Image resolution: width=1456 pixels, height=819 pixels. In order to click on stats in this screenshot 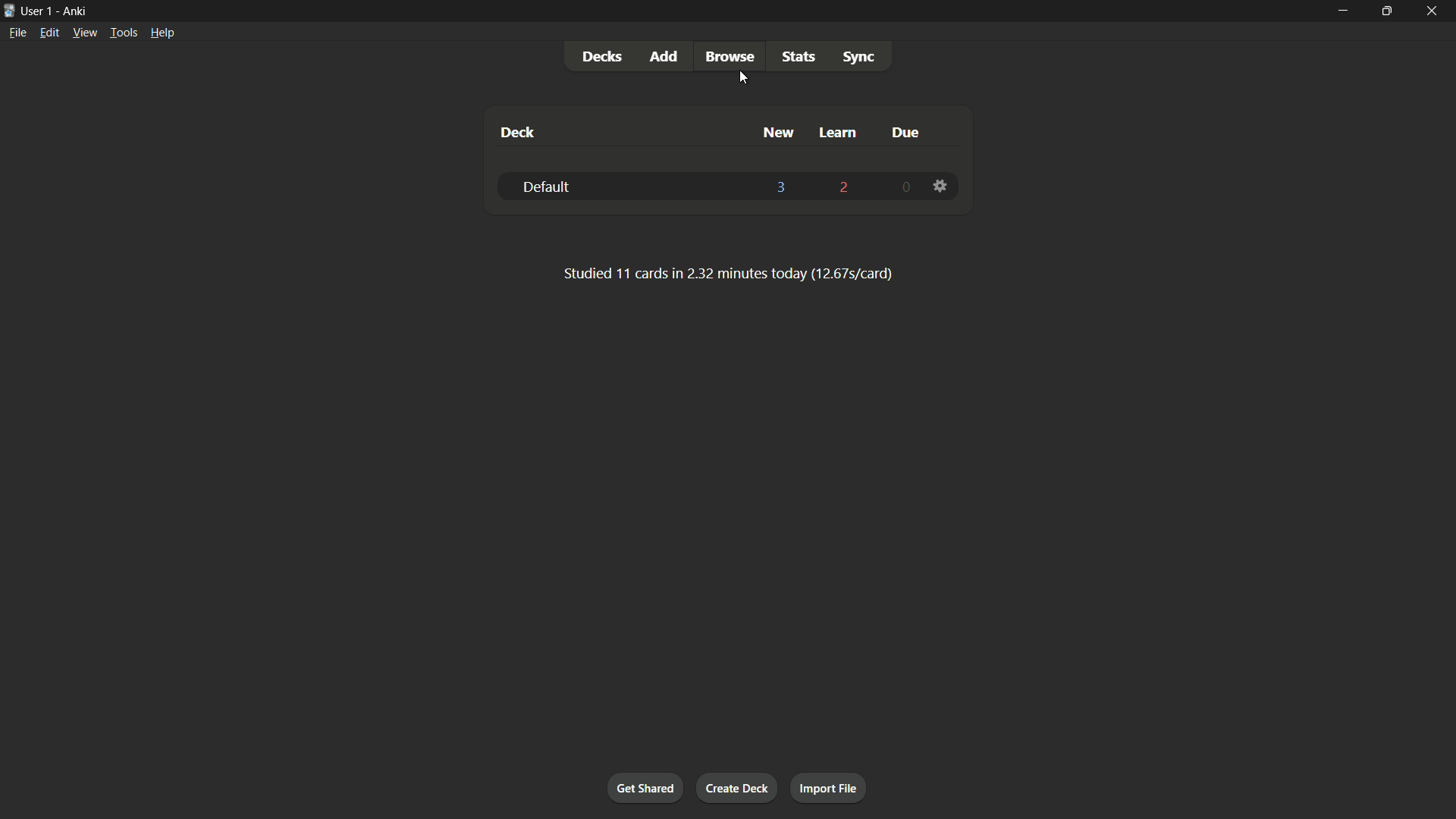, I will do `click(799, 56)`.